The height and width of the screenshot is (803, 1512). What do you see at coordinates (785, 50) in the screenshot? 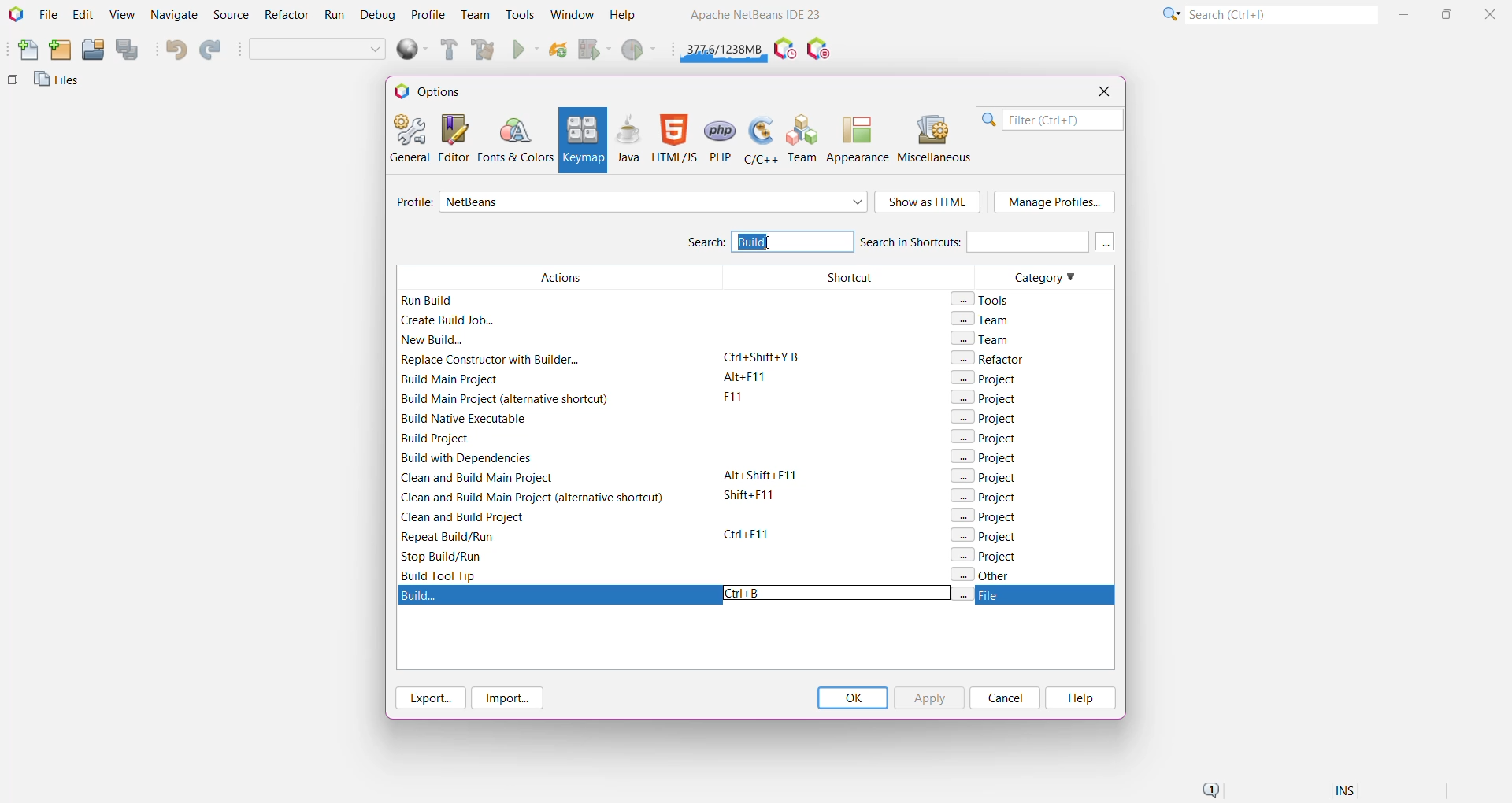
I see `Pause IDE profiling and take a Snapshot` at bounding box center [785, 50].